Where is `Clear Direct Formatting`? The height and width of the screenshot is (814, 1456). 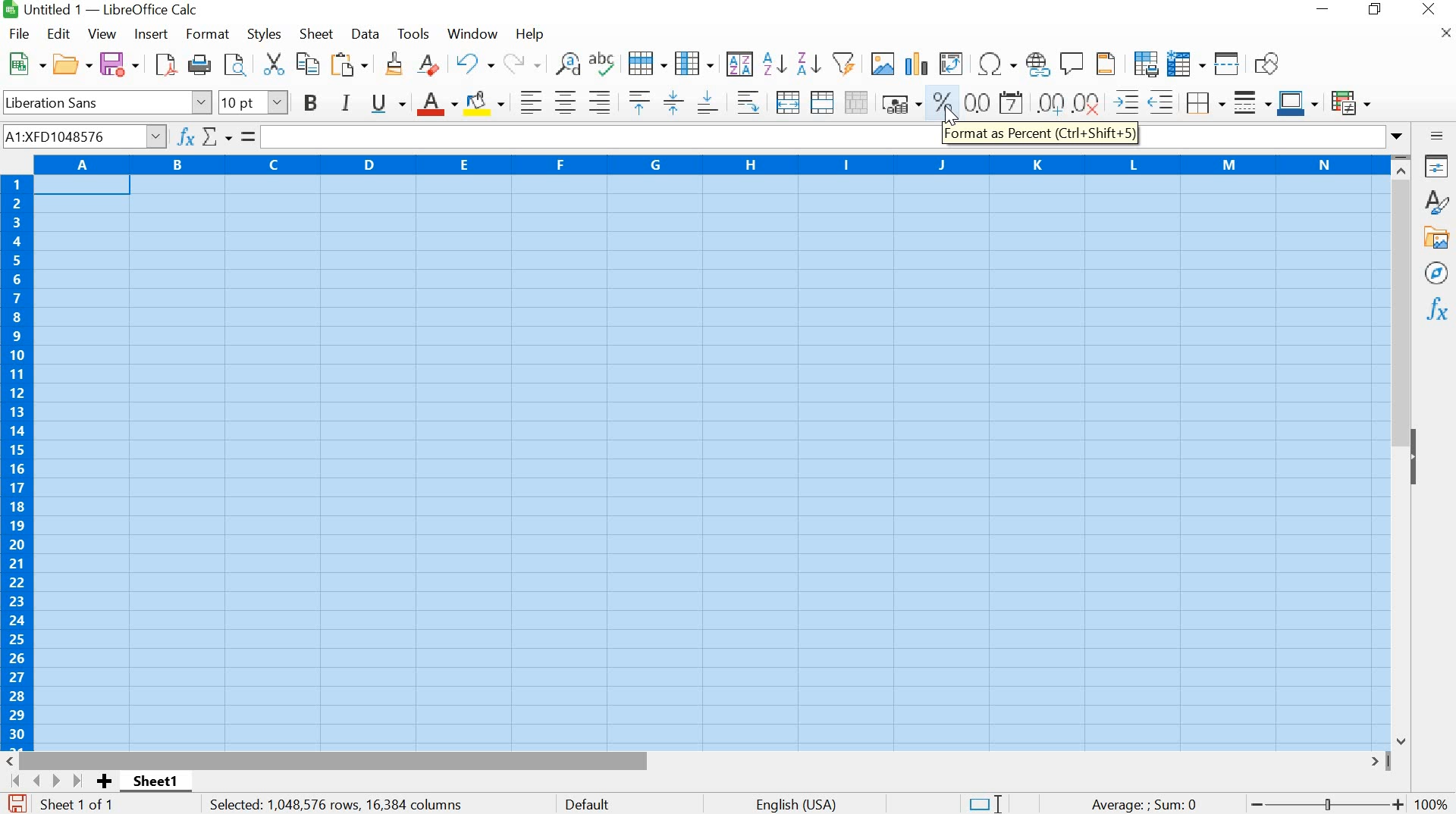 Clear Direct Formatting is located at coordinates (428, 64).